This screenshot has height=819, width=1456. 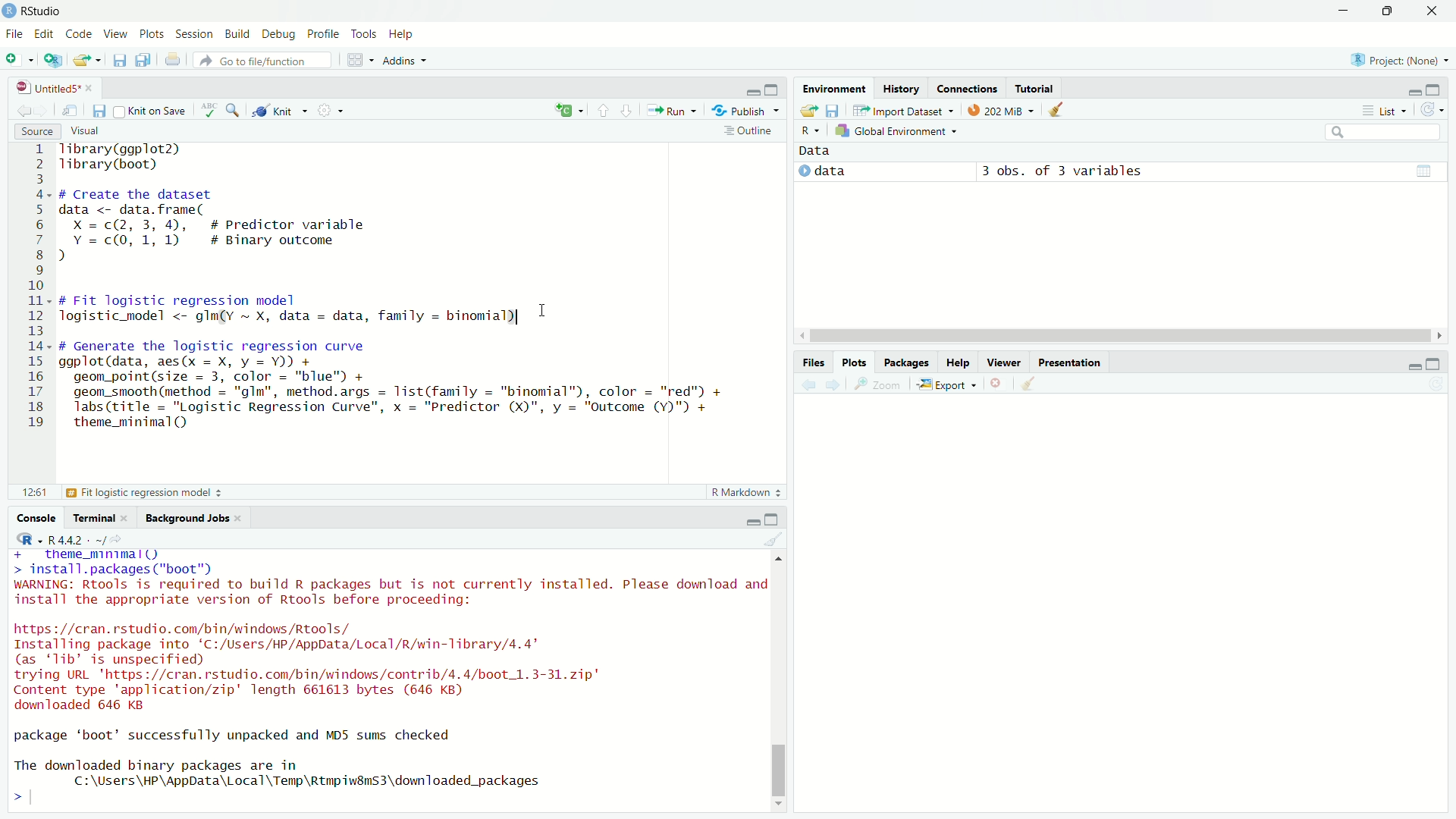 I want to click on Go forward to next source location, so click(x=44, y=111).